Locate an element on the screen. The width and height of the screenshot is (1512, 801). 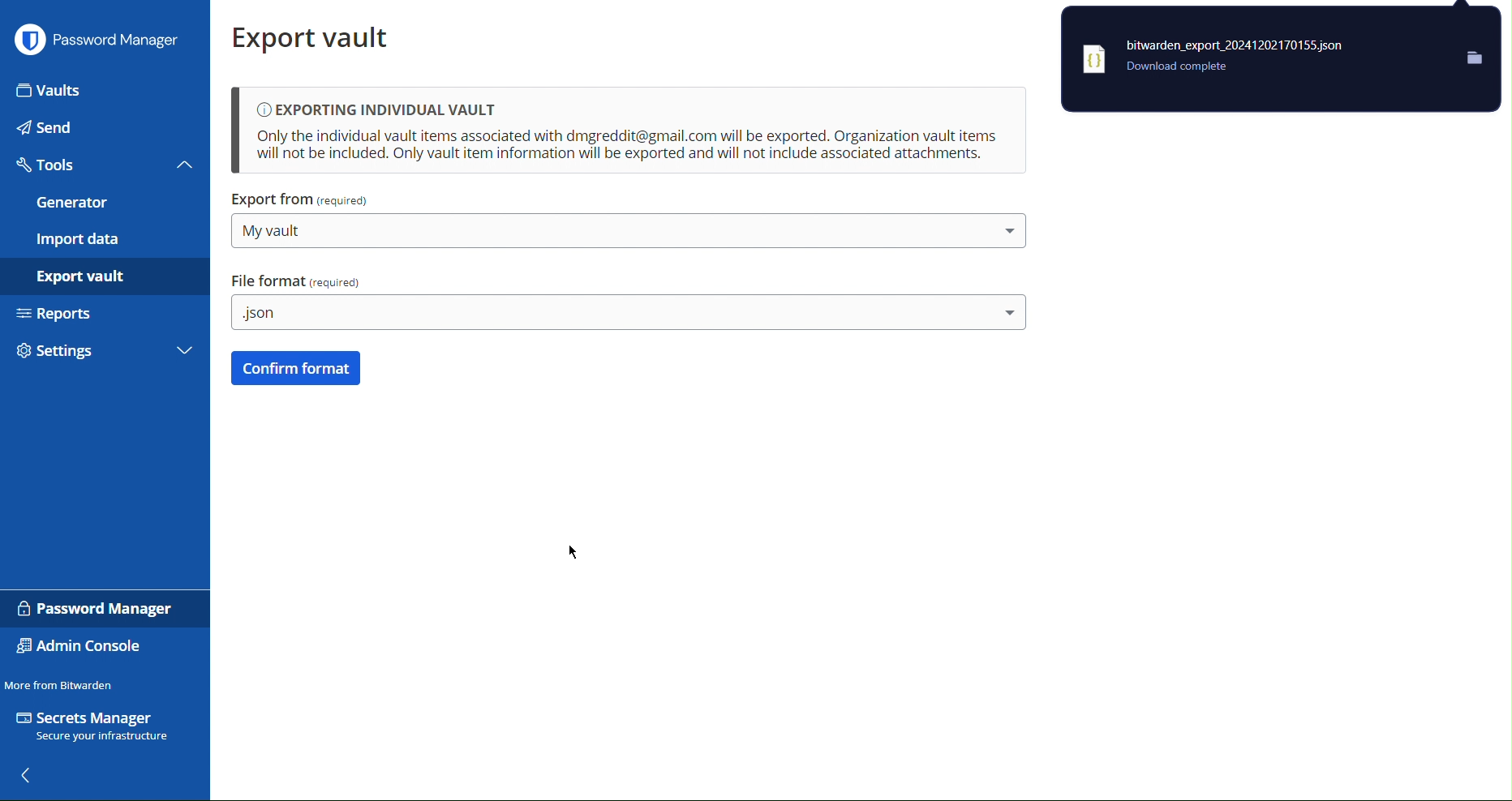
File Format is located at coordinates (295, 281).